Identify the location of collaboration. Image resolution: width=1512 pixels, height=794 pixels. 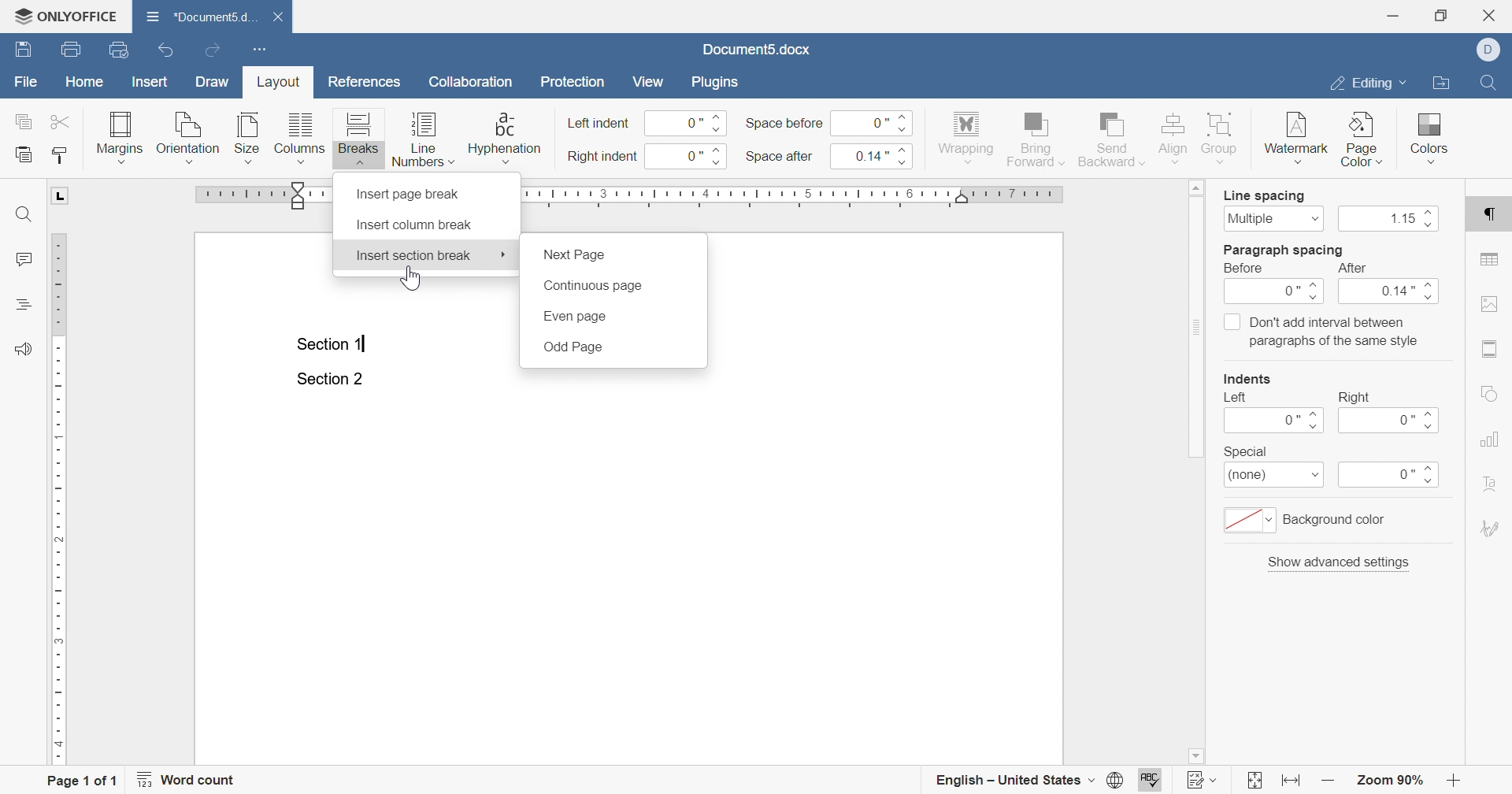
(476, 85).